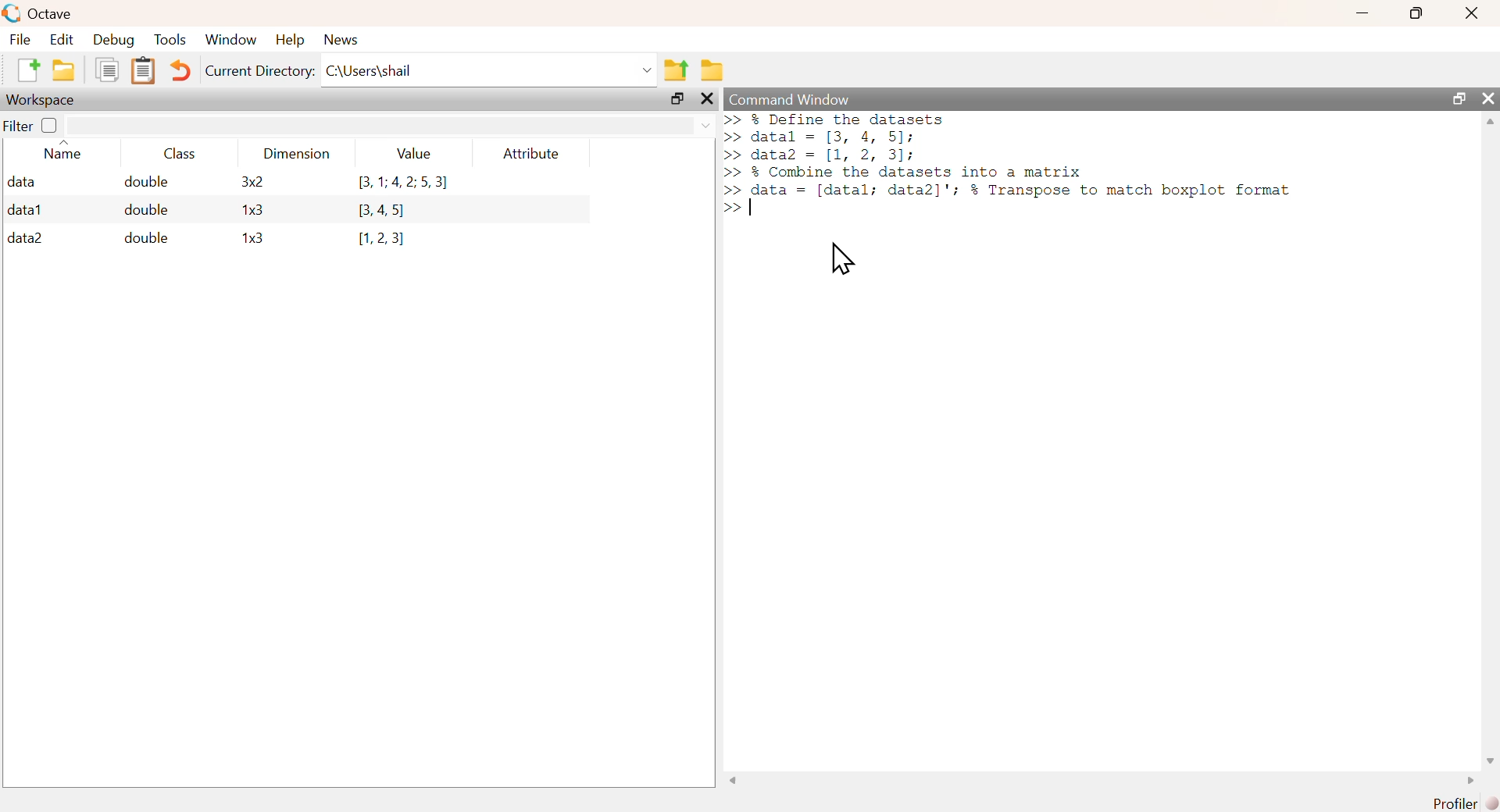 The image size is (1500, 812). Describe the element at coordinates (794, 98) in the screenshot. I see `Command Window` at that location.